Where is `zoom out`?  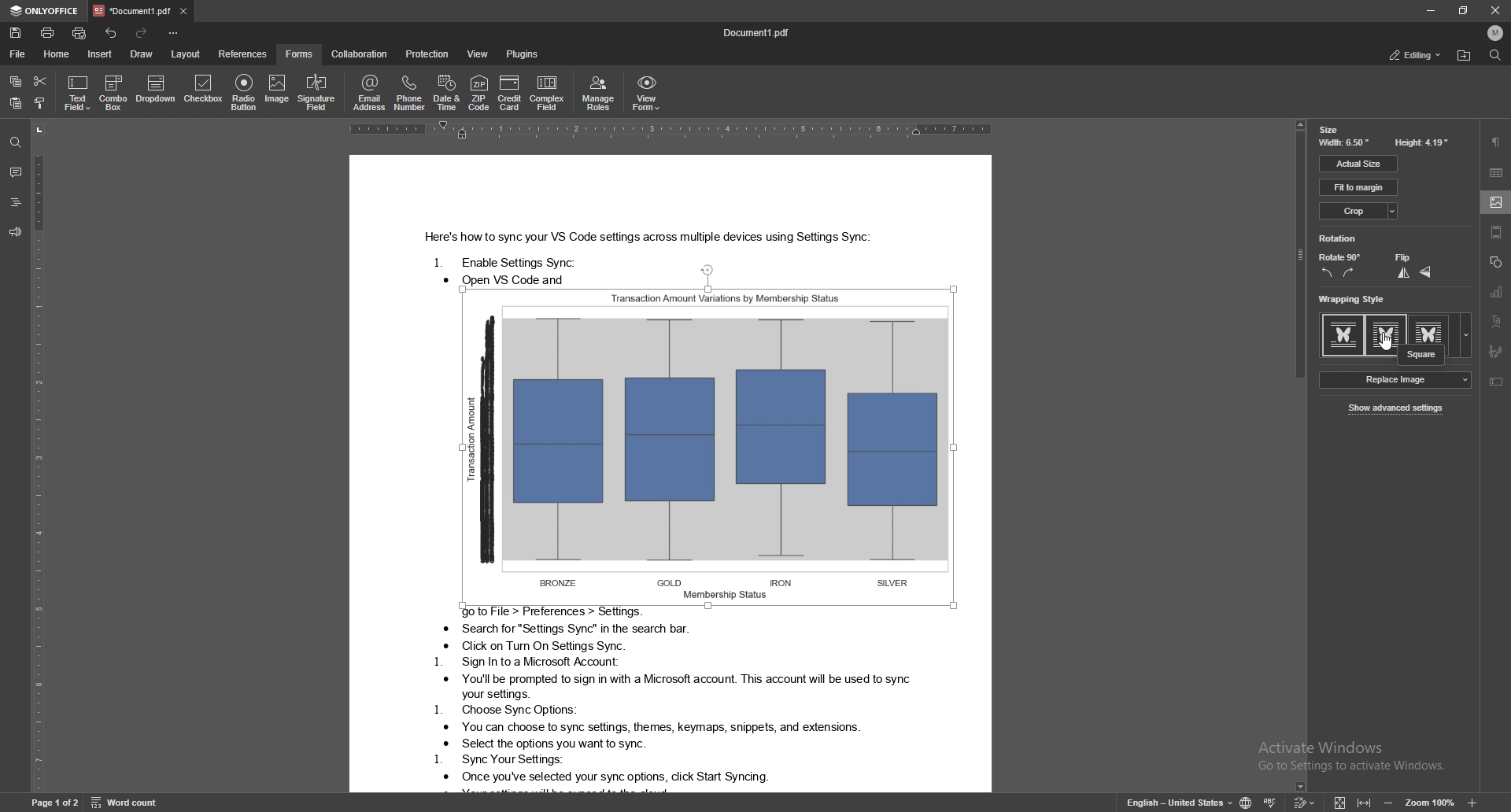 zoom out is located at coordinates (1389, 803).